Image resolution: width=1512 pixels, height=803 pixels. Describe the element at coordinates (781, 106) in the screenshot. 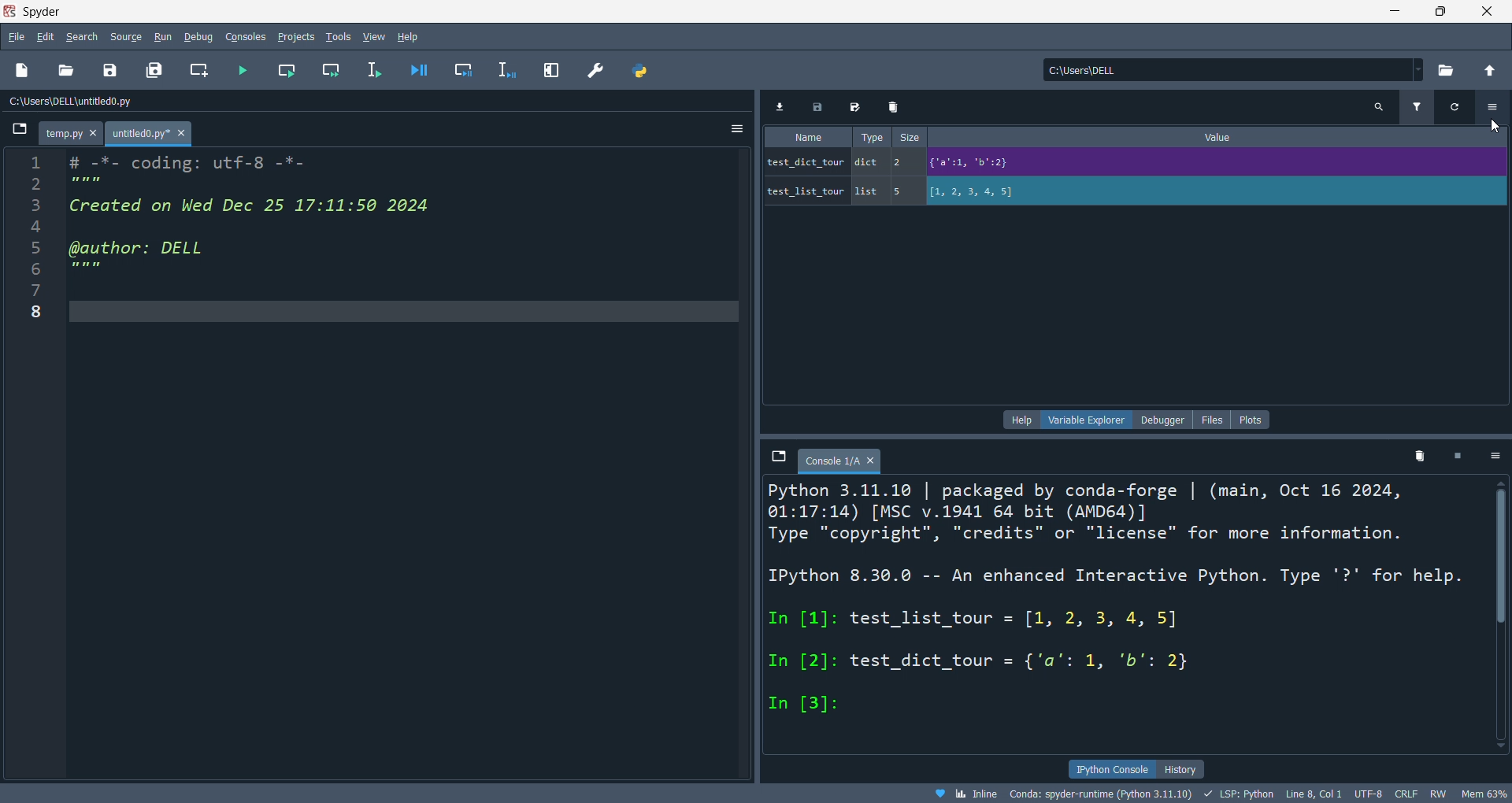

I see `import` at that location.